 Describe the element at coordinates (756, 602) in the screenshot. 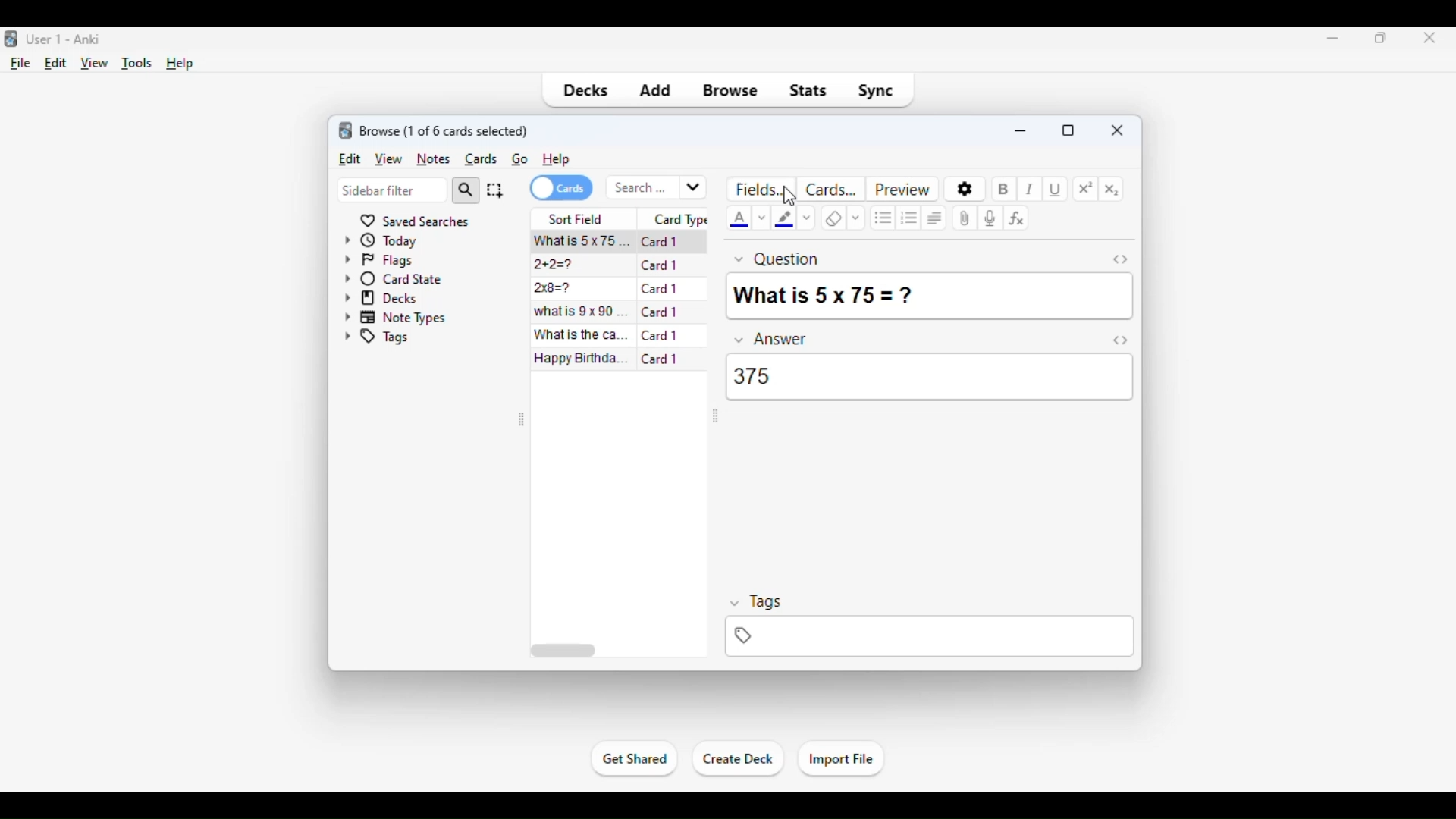

I see `tags` at that location.